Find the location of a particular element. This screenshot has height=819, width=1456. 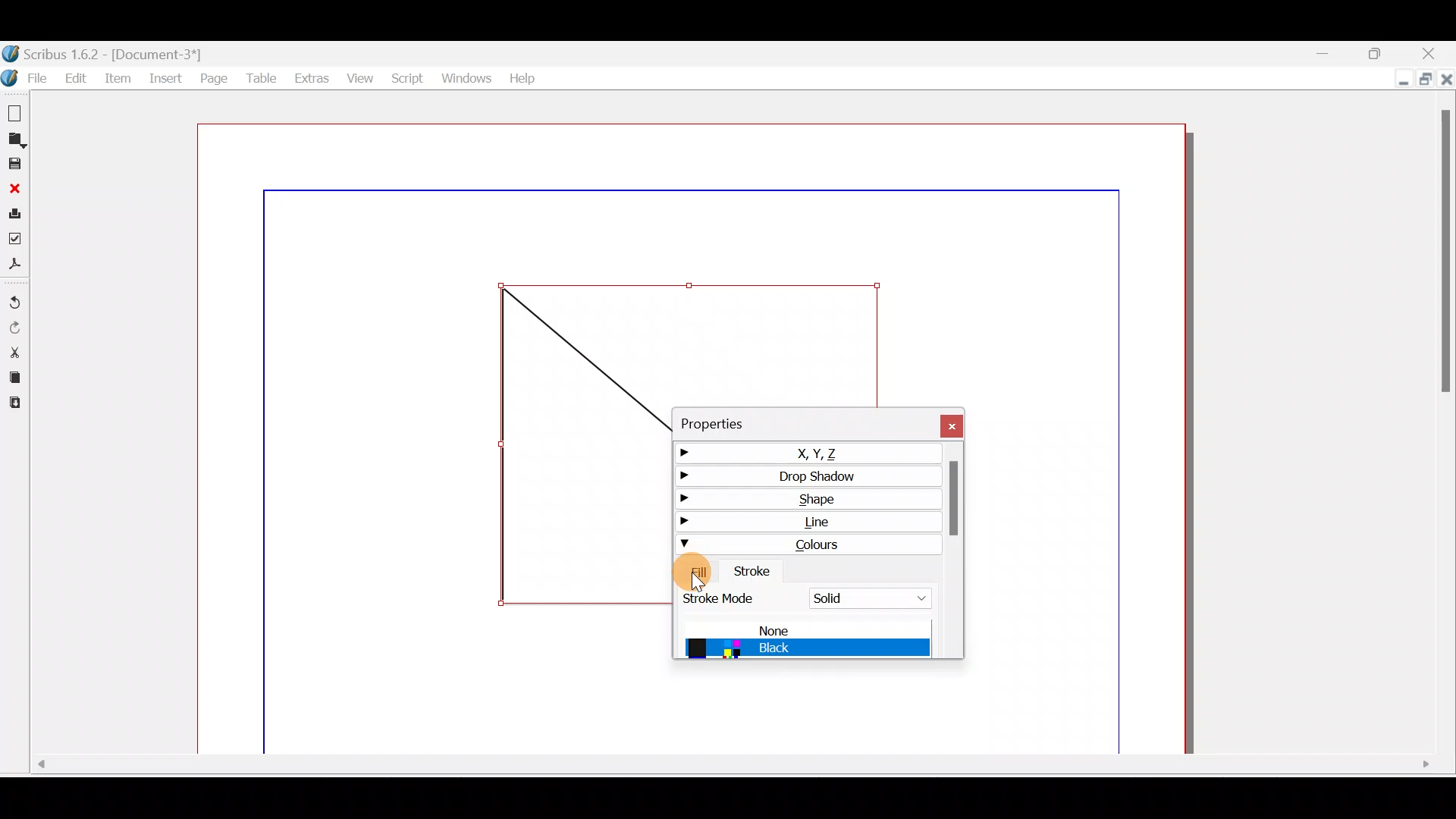

Preflight verifier is located at coordinates (18, 237).